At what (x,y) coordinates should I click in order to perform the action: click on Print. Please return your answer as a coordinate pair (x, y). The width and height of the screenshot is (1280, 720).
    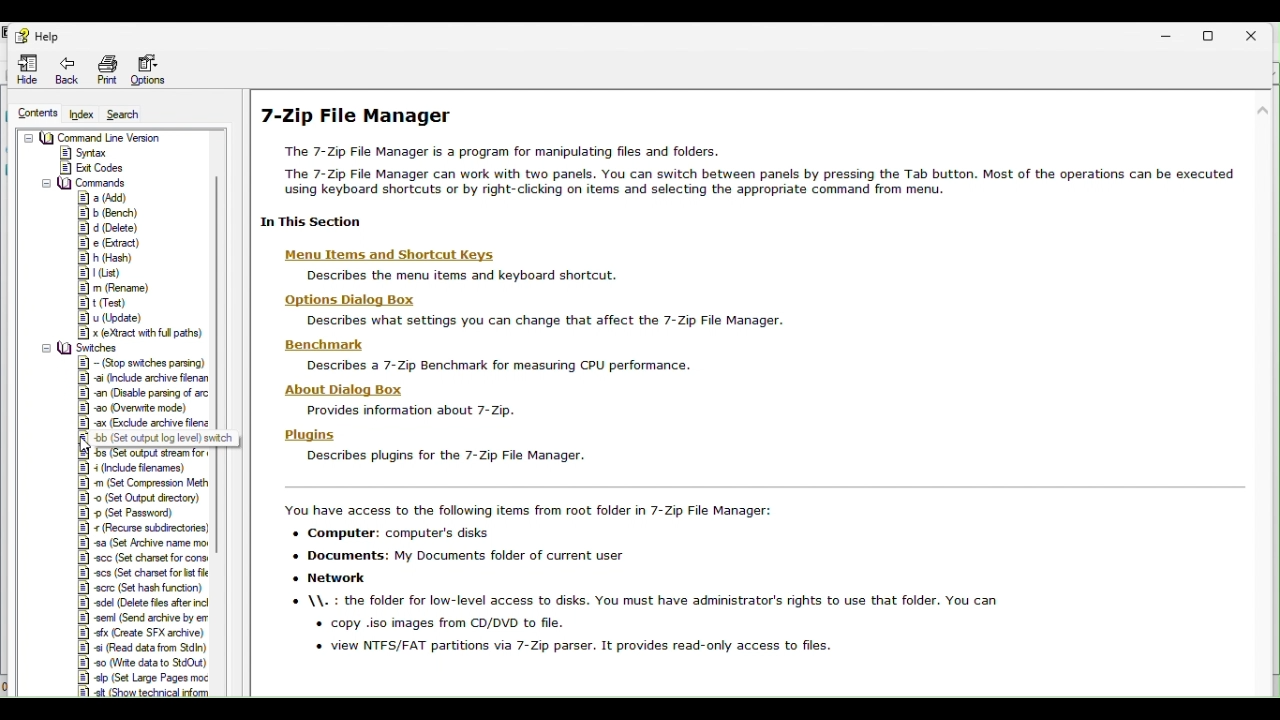
    Looking at the image, I should click on (107, 69).